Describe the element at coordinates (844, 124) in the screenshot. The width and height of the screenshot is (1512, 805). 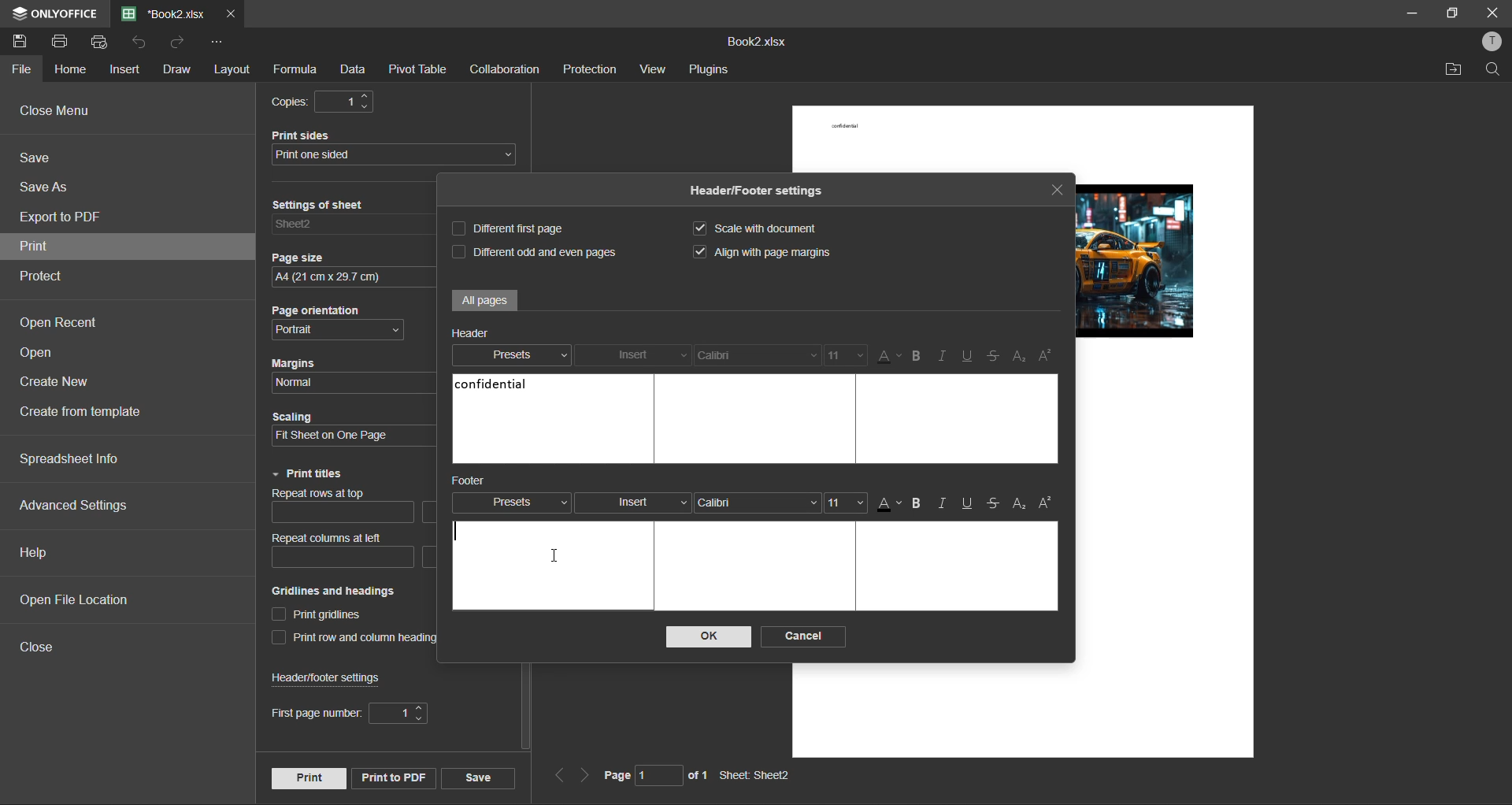
I see `confidential` at that location.